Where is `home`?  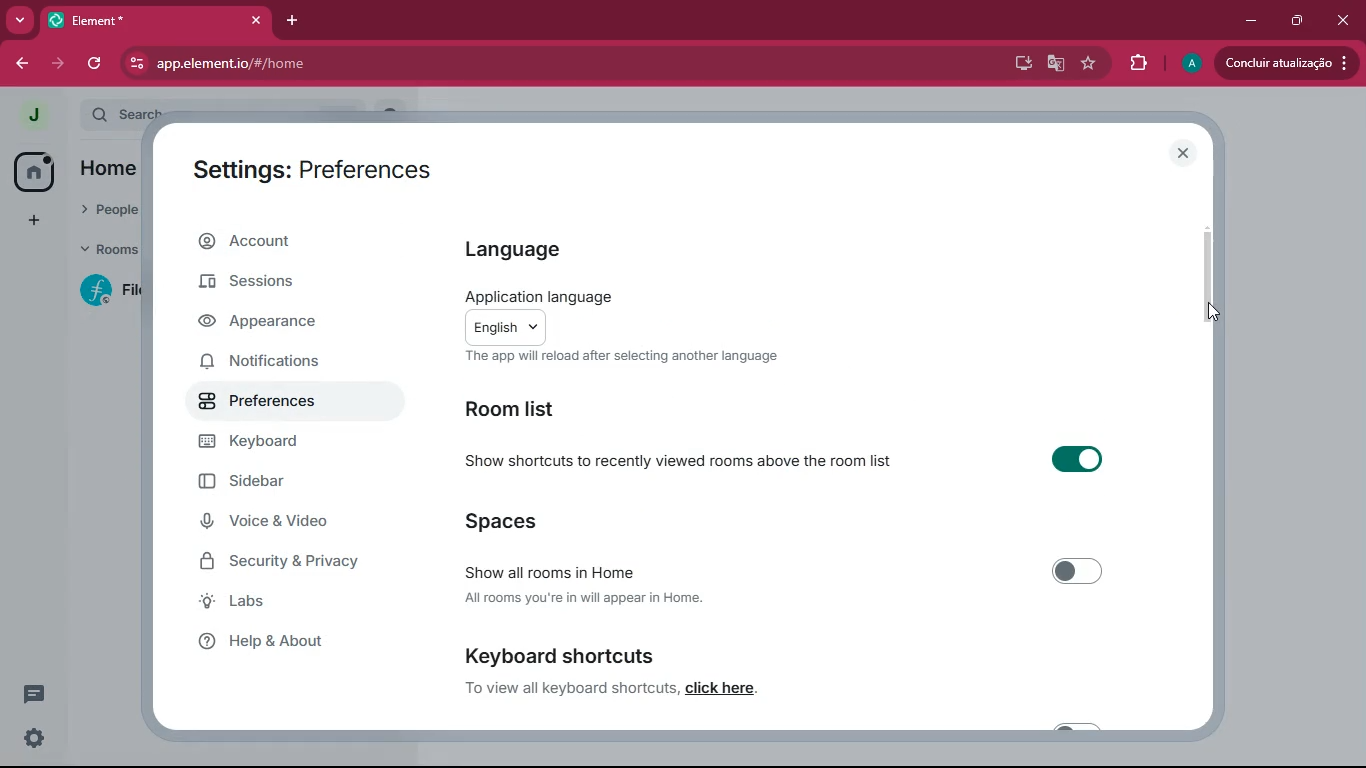 home is located at coordinates (114, 171).